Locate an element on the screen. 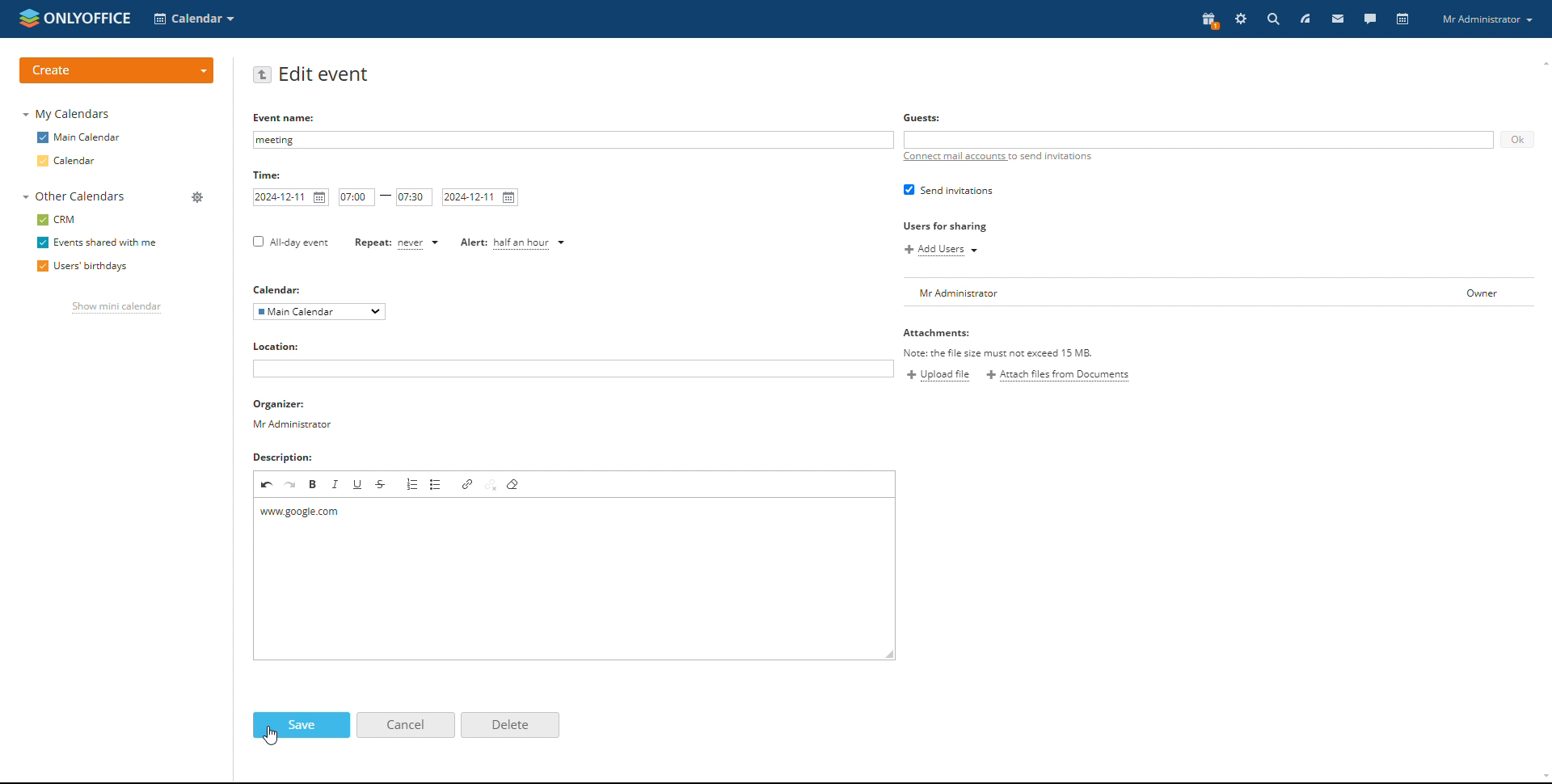 This screenshot has height=784, width=1552. start time is located at coordinates (357, 197).